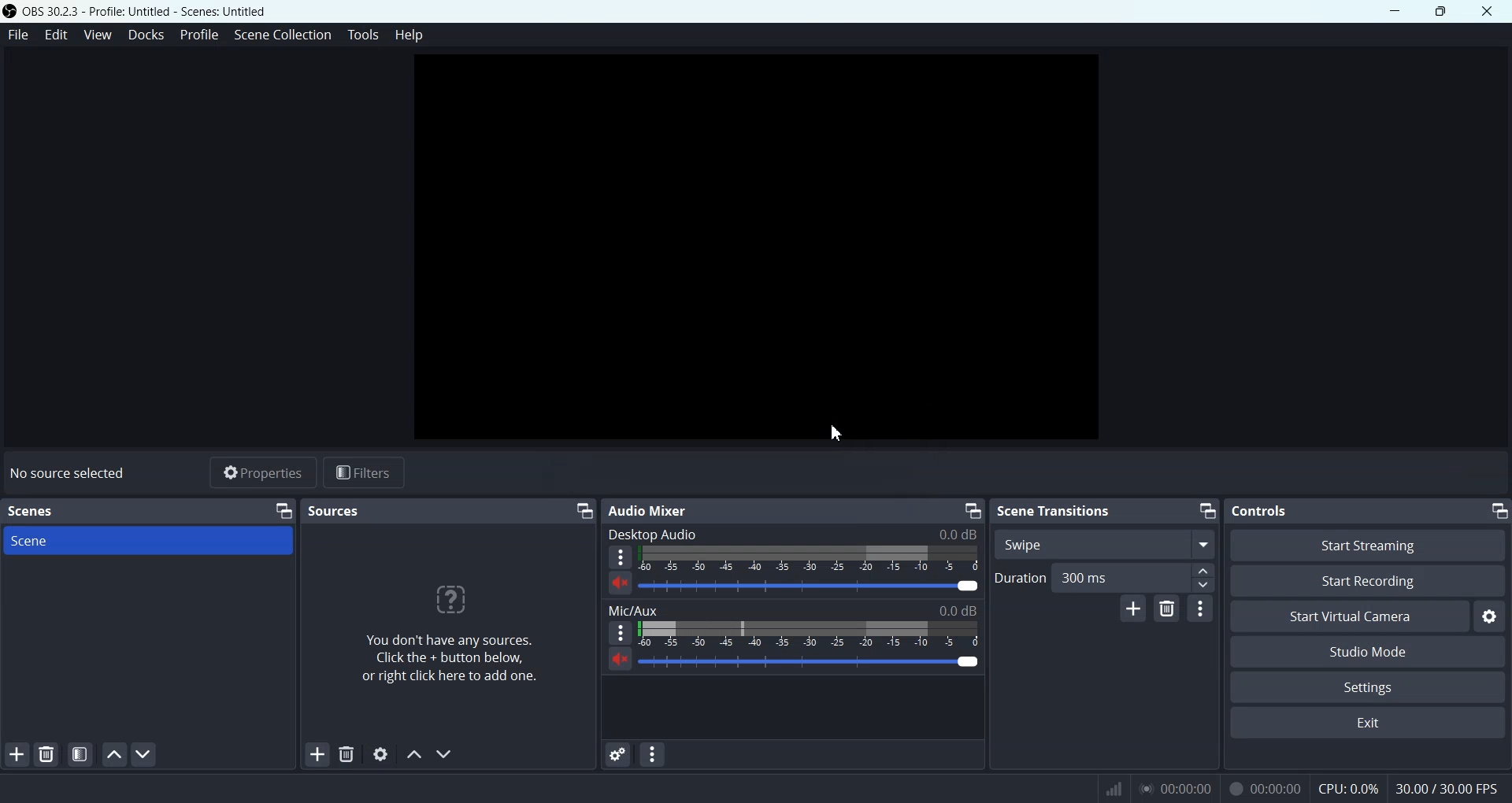  What do you see at coordinates (413, 754) in the screenshot?
I see `Move Source Up` at bounding box center [413, 754].